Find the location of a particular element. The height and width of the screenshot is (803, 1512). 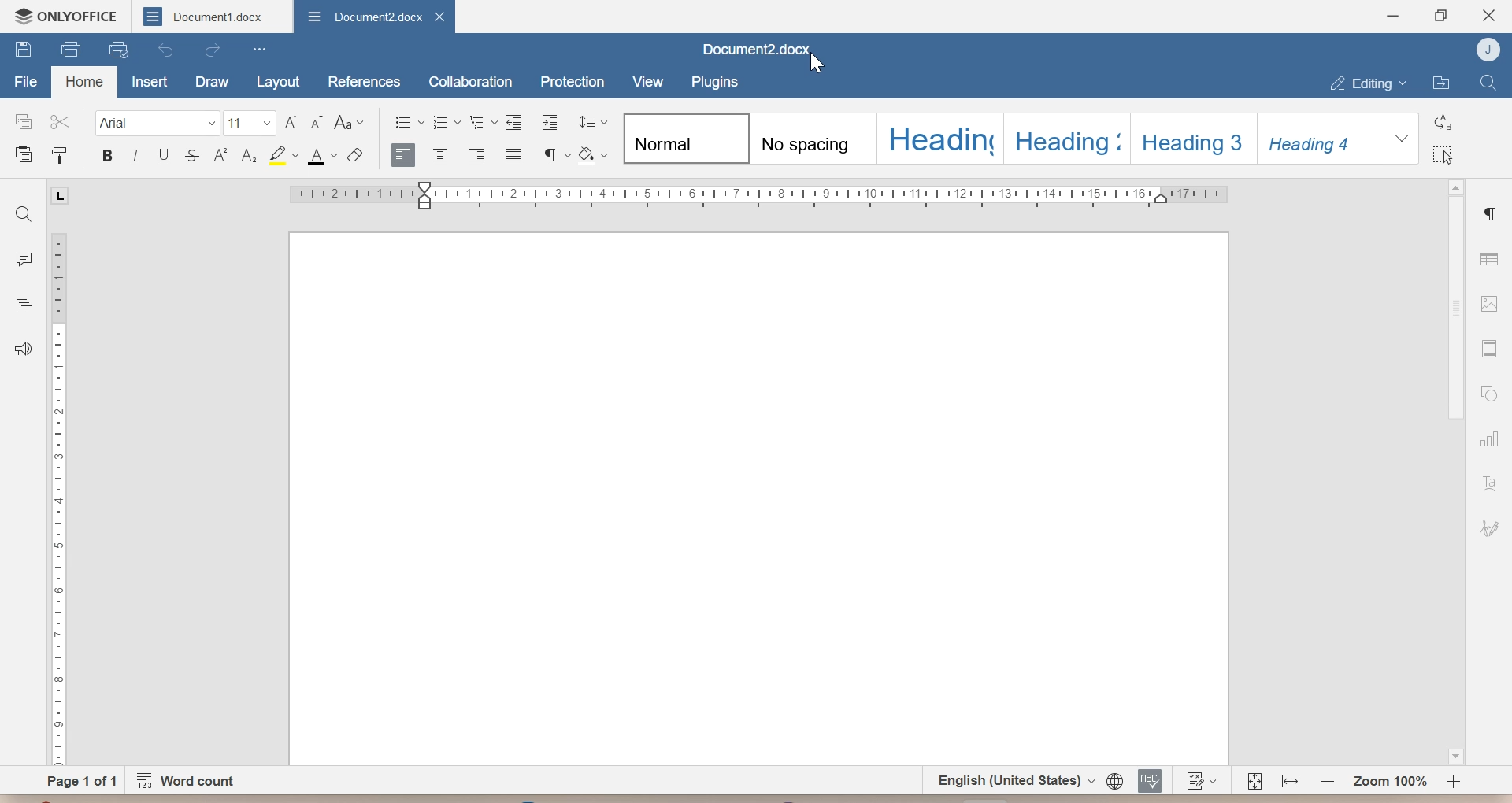

Underline is located at coordinates (165, 156).